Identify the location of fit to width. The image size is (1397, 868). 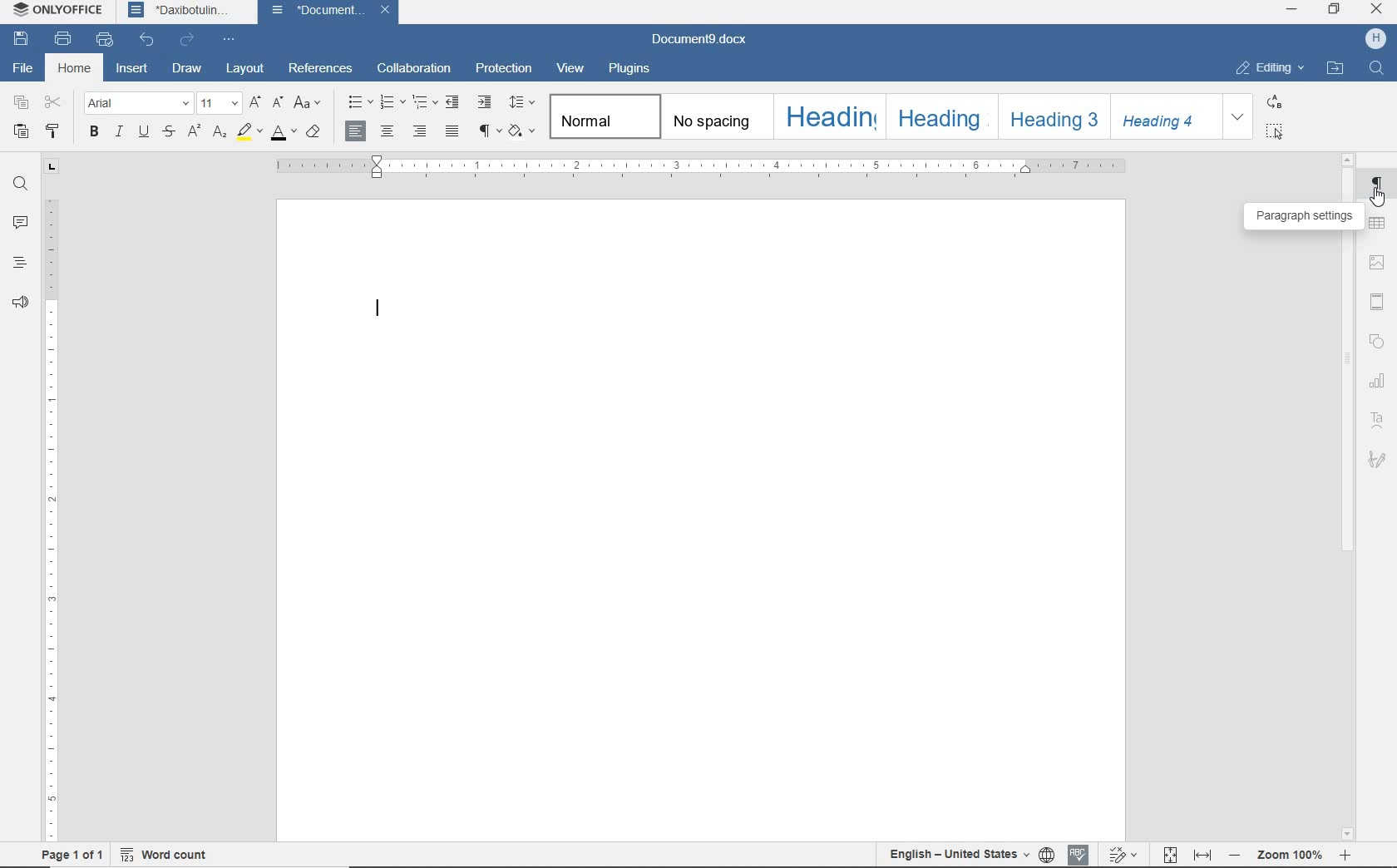
(1202, 856).